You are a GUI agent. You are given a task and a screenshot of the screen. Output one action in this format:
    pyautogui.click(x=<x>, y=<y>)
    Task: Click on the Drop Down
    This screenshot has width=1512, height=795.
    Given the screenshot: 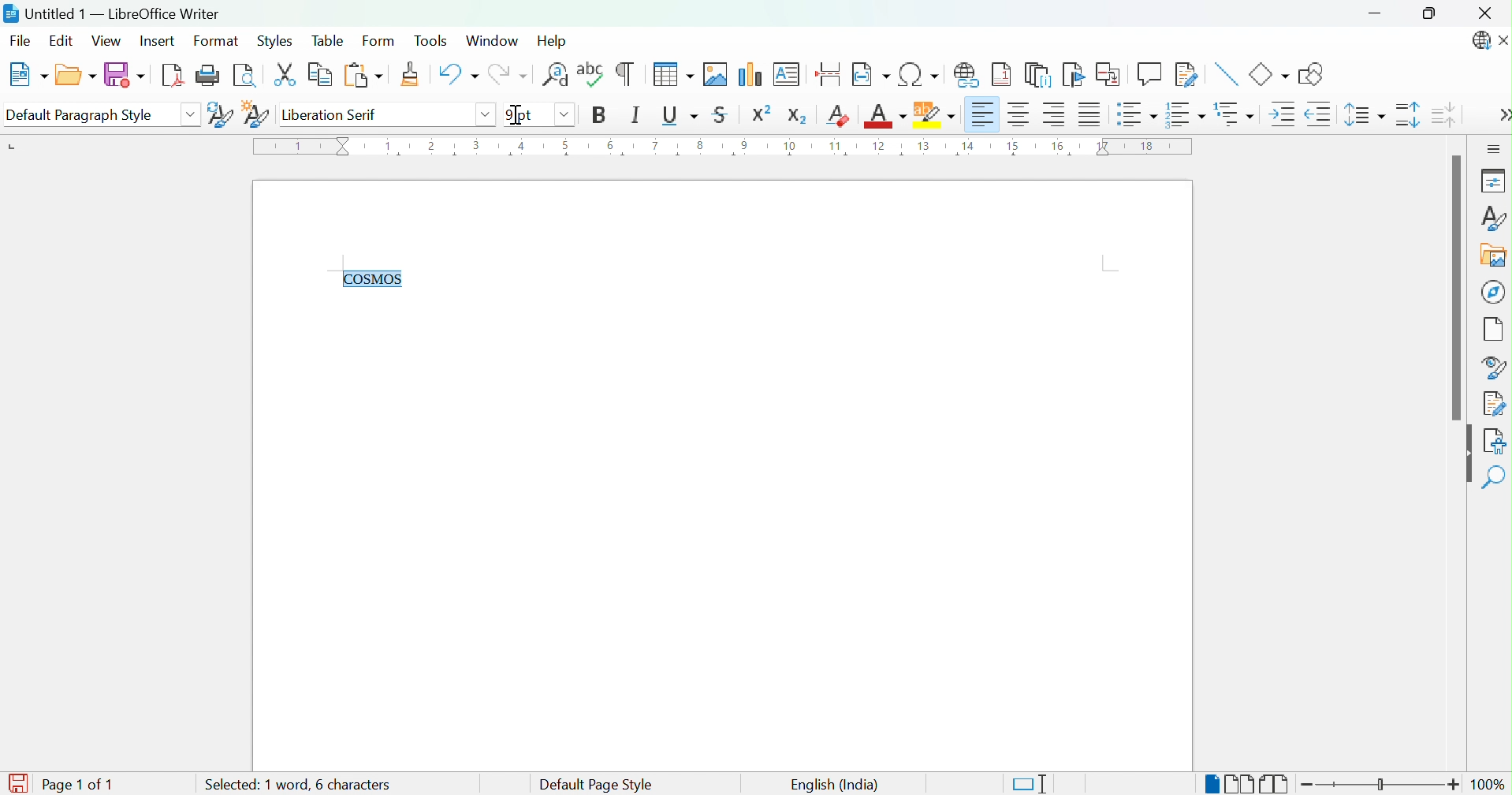 What is the action you would take?
    pyautogui.click(x=191, y=114)
    